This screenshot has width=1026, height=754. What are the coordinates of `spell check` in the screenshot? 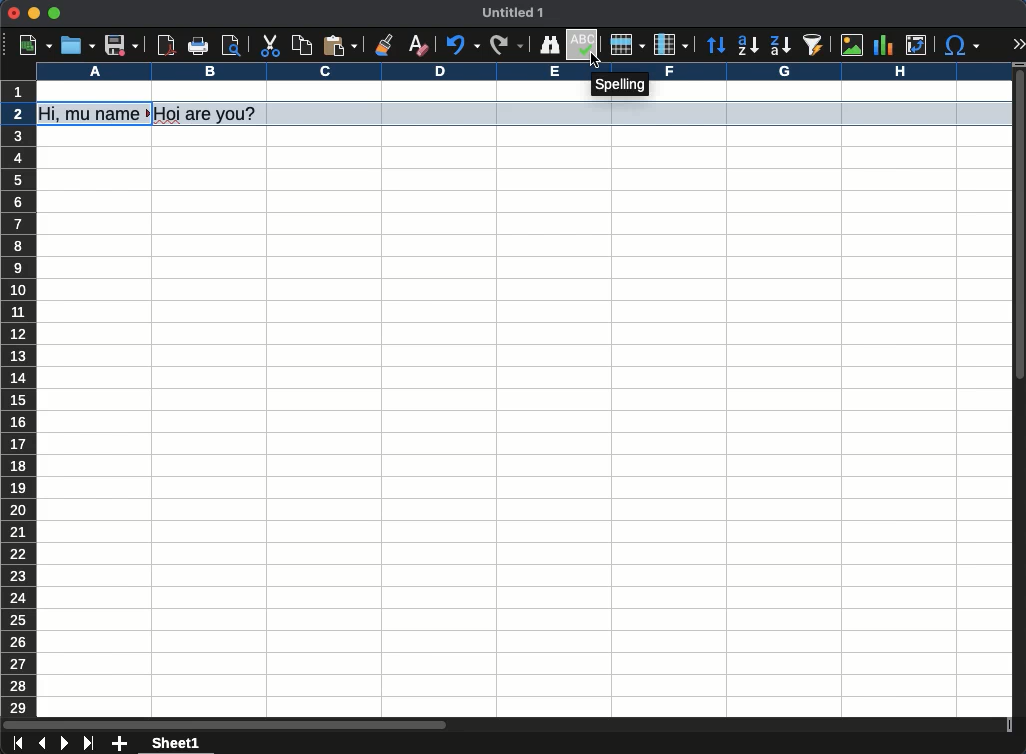 It's located at (584, 45).